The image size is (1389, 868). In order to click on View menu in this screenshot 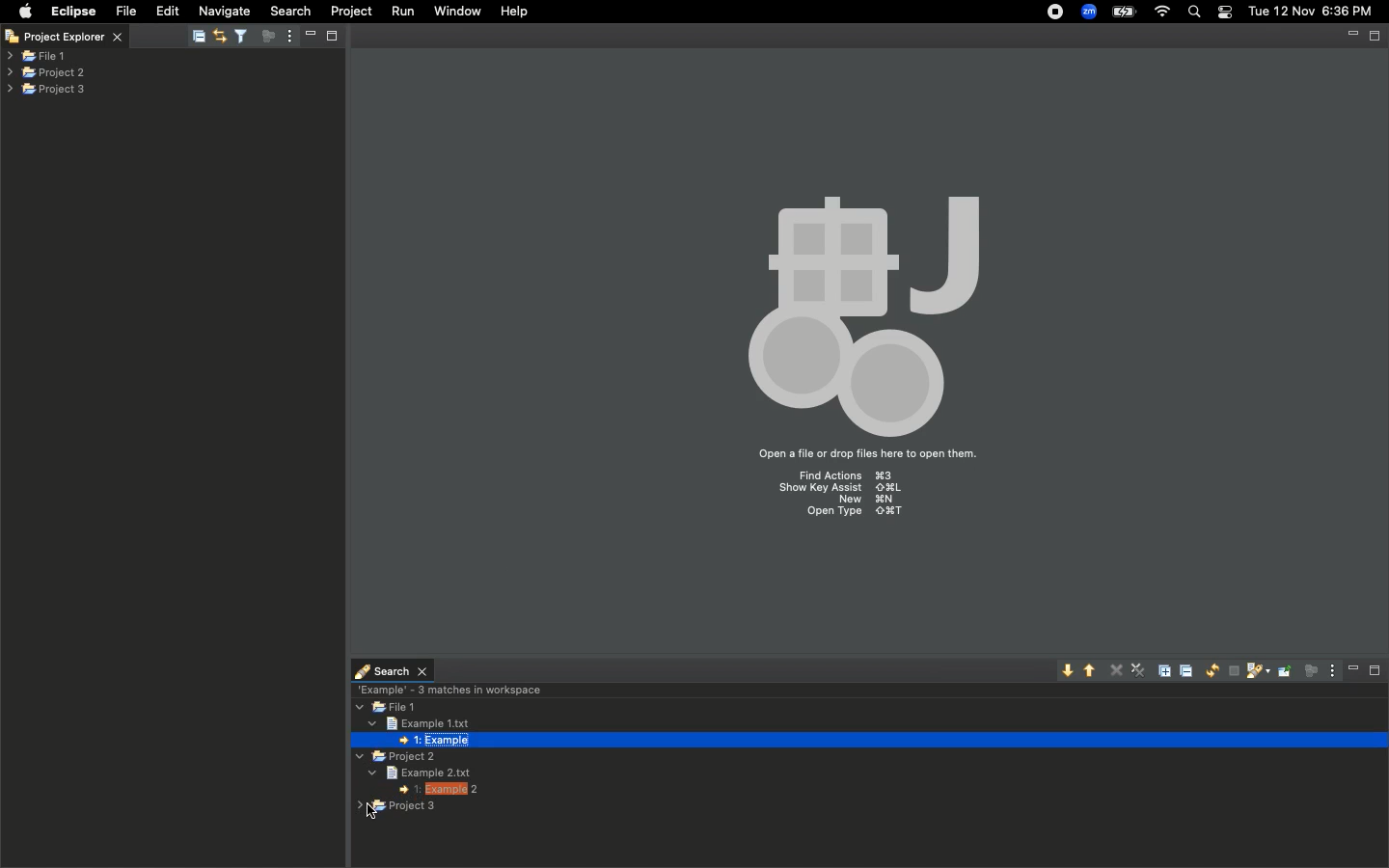, I will do `click(1329, 670)`.